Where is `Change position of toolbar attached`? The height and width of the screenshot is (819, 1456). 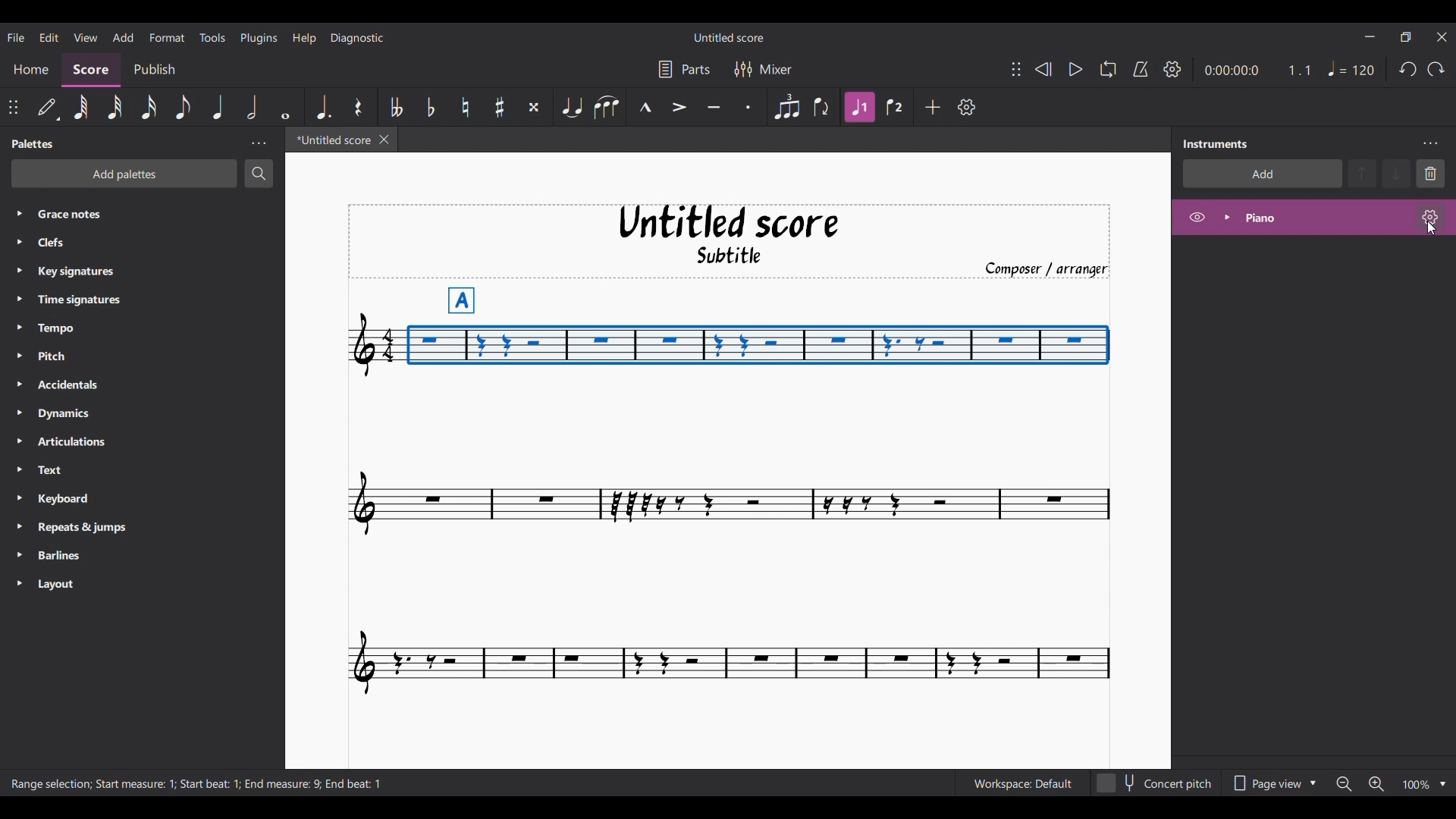 Change position of toolbar attached is located at coordinates (1016, 69).